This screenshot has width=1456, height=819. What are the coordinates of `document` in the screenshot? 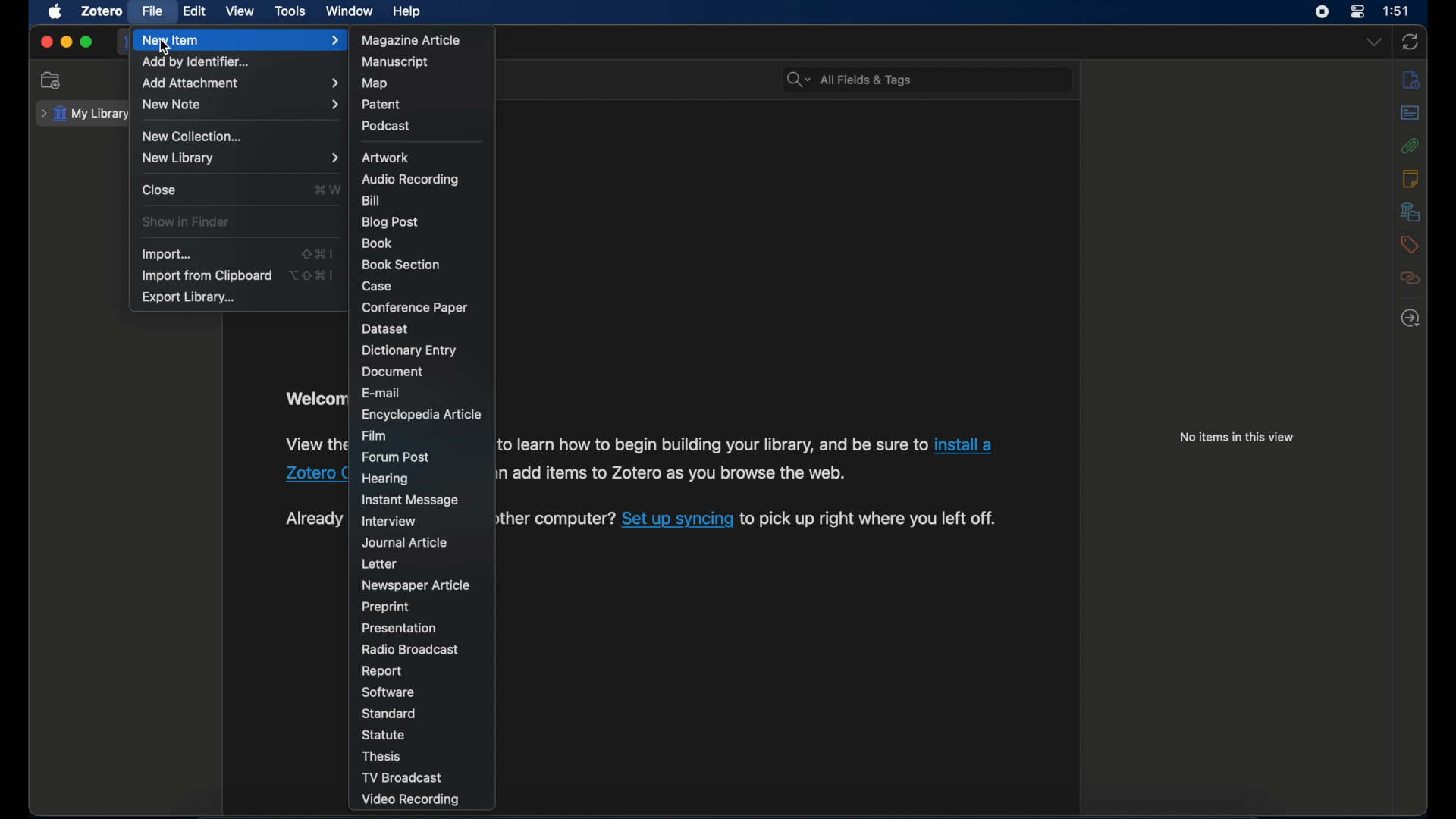 It's located at (394, 372).